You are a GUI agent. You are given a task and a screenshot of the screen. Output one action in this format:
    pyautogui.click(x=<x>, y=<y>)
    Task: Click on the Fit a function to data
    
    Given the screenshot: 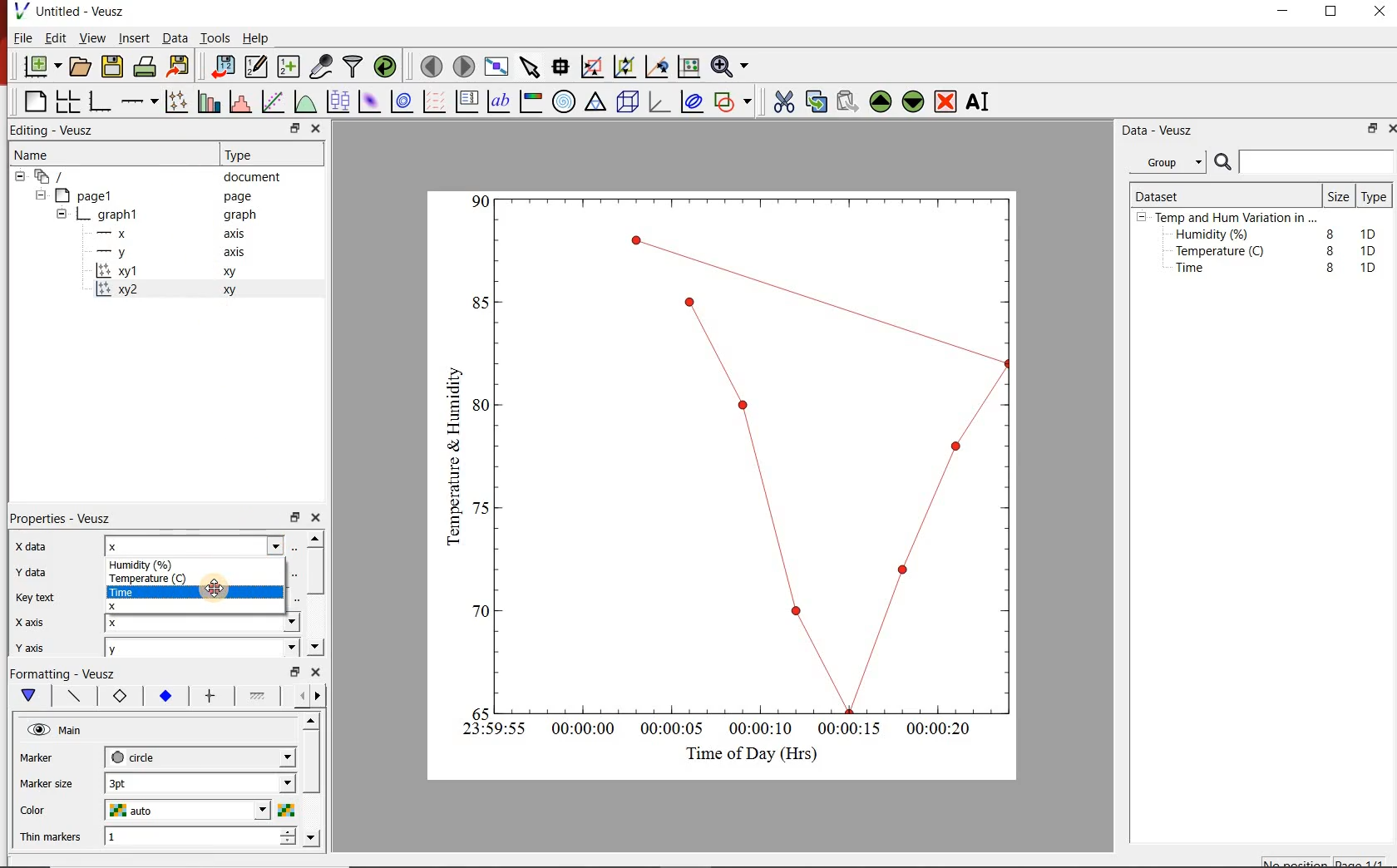 What is the action you would take?
    pyautogui.click(x=274, y=101)
    